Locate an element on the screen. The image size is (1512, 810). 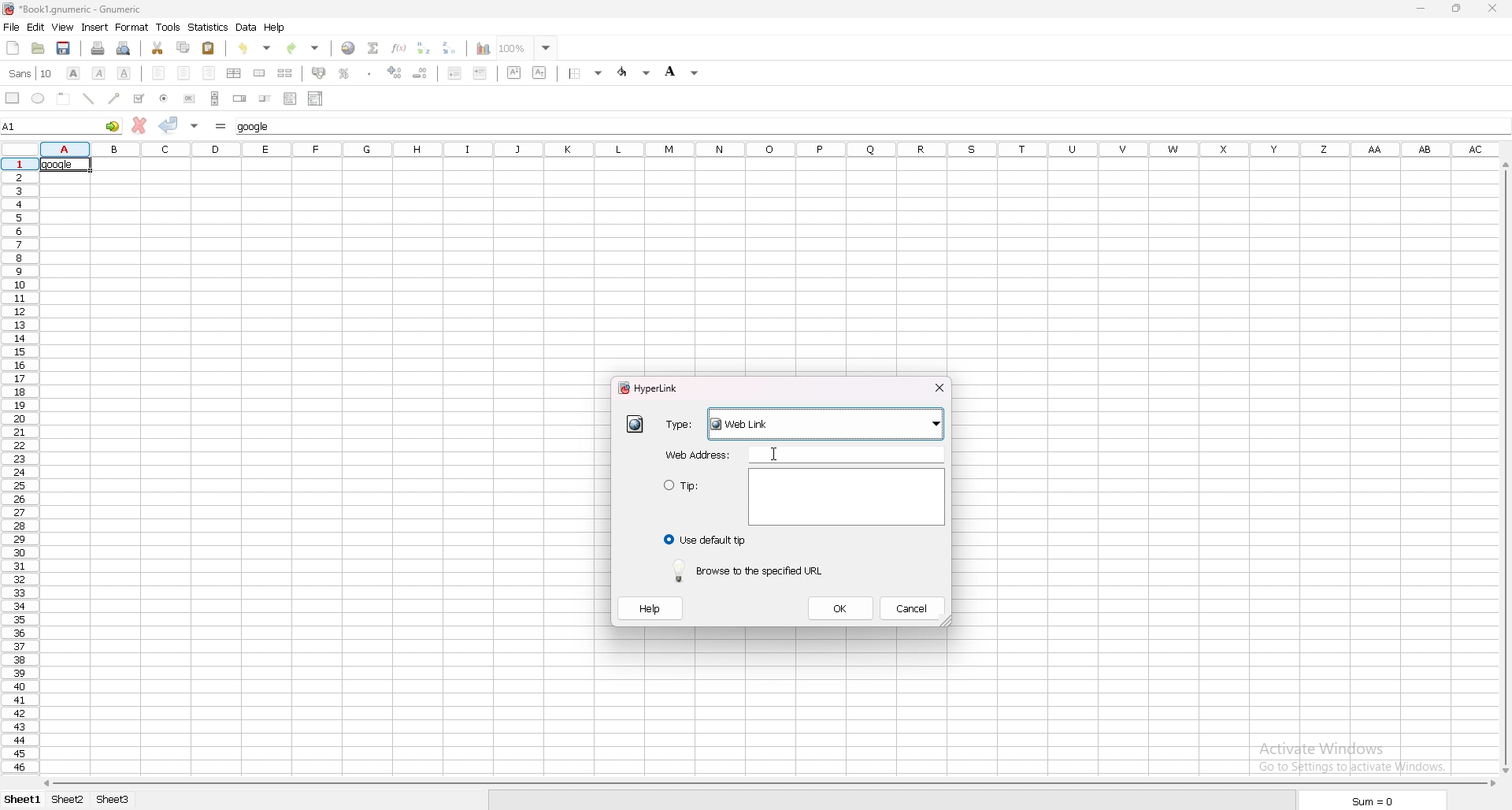
minimize is located at coordinates (1421, 9).